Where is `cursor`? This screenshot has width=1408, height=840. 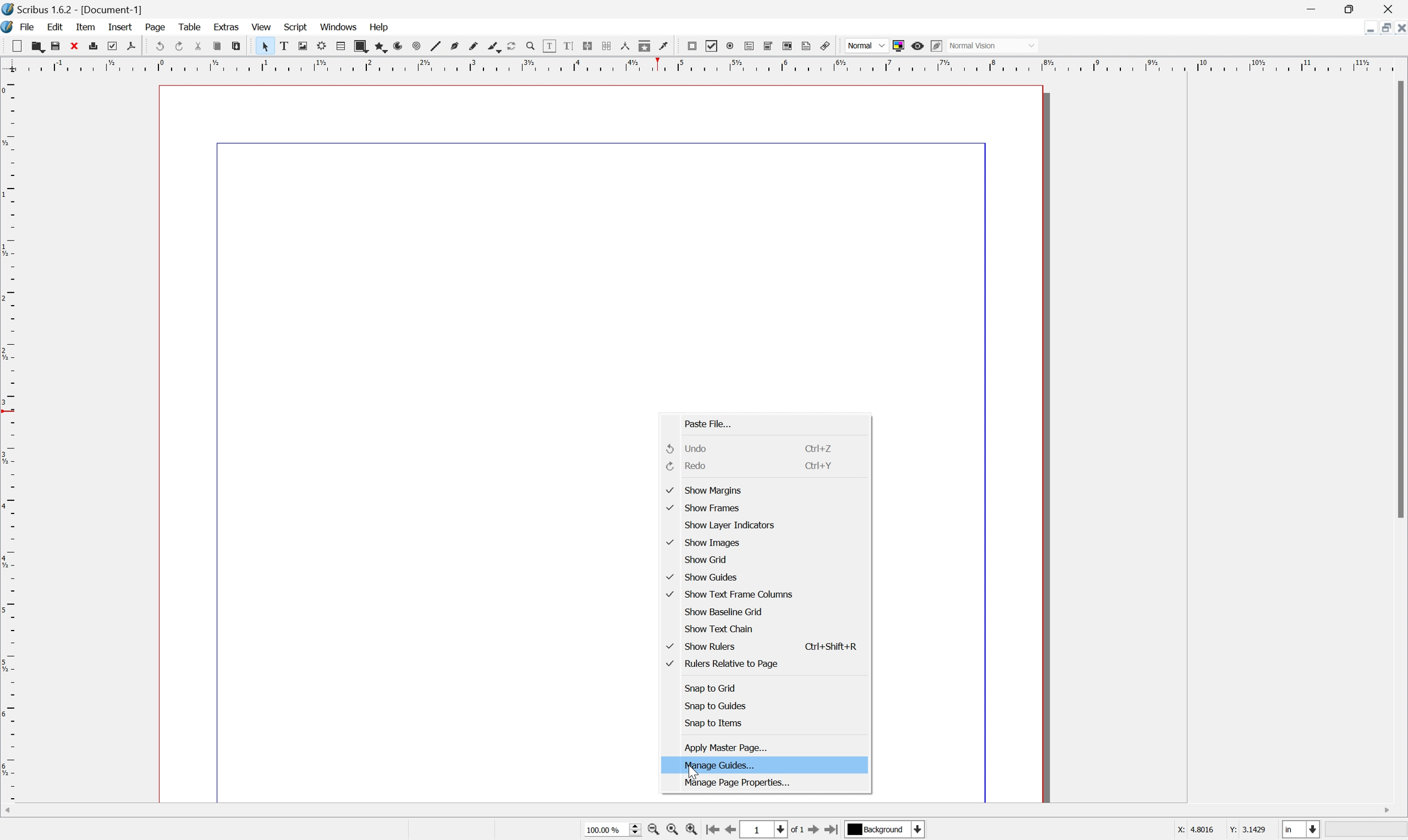
cursor is located at coordinates (692, 774).